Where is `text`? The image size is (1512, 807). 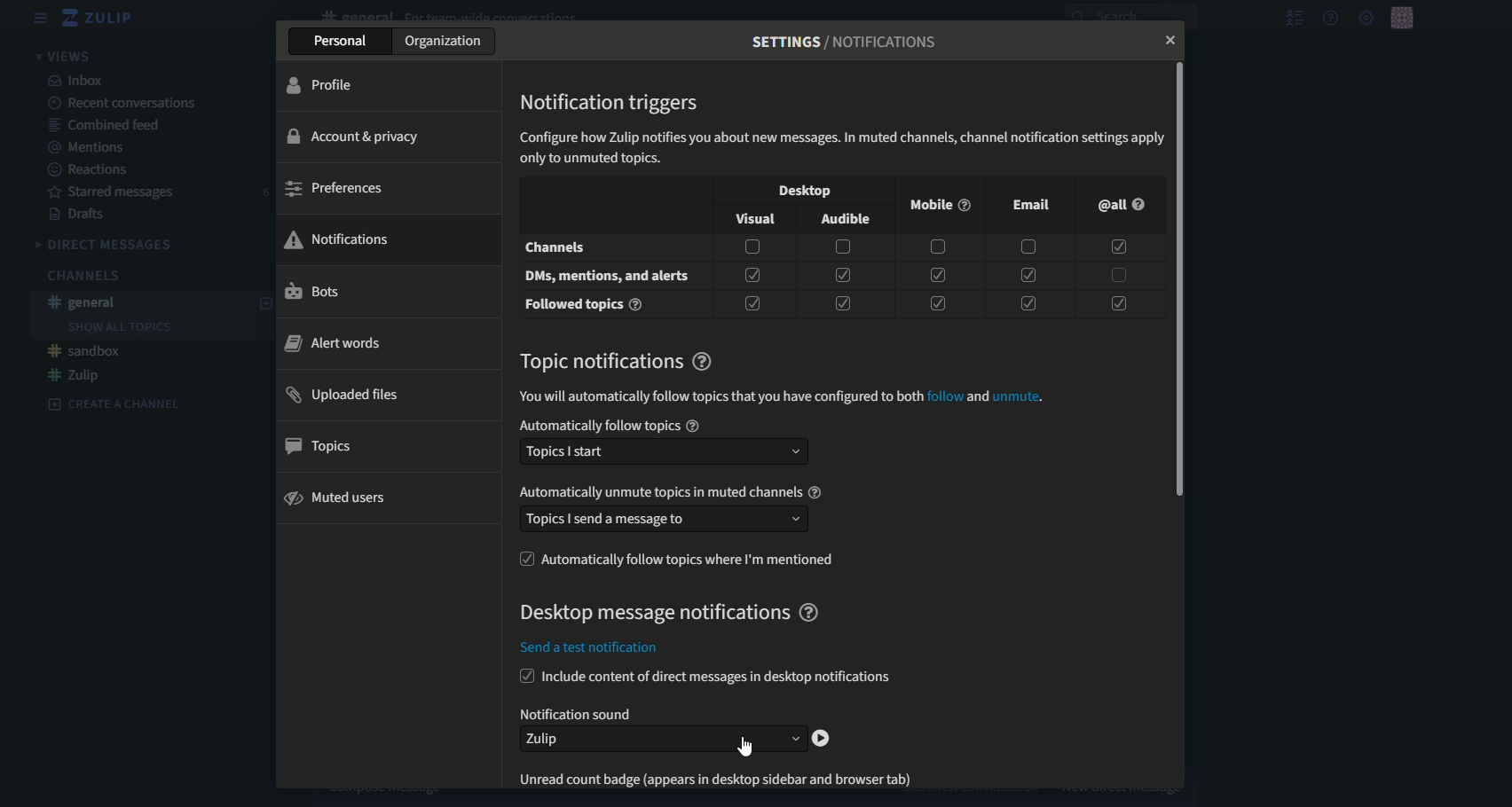
text is located at coordinates (717, 397).